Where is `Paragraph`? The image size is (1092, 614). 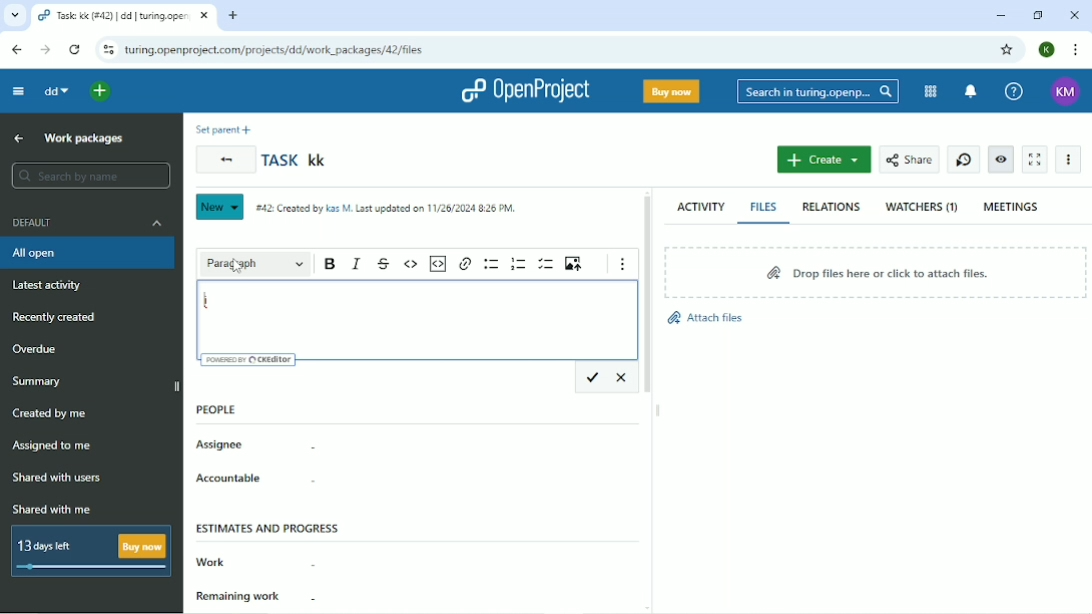
Paragraph is located at coordinates (255, 265).